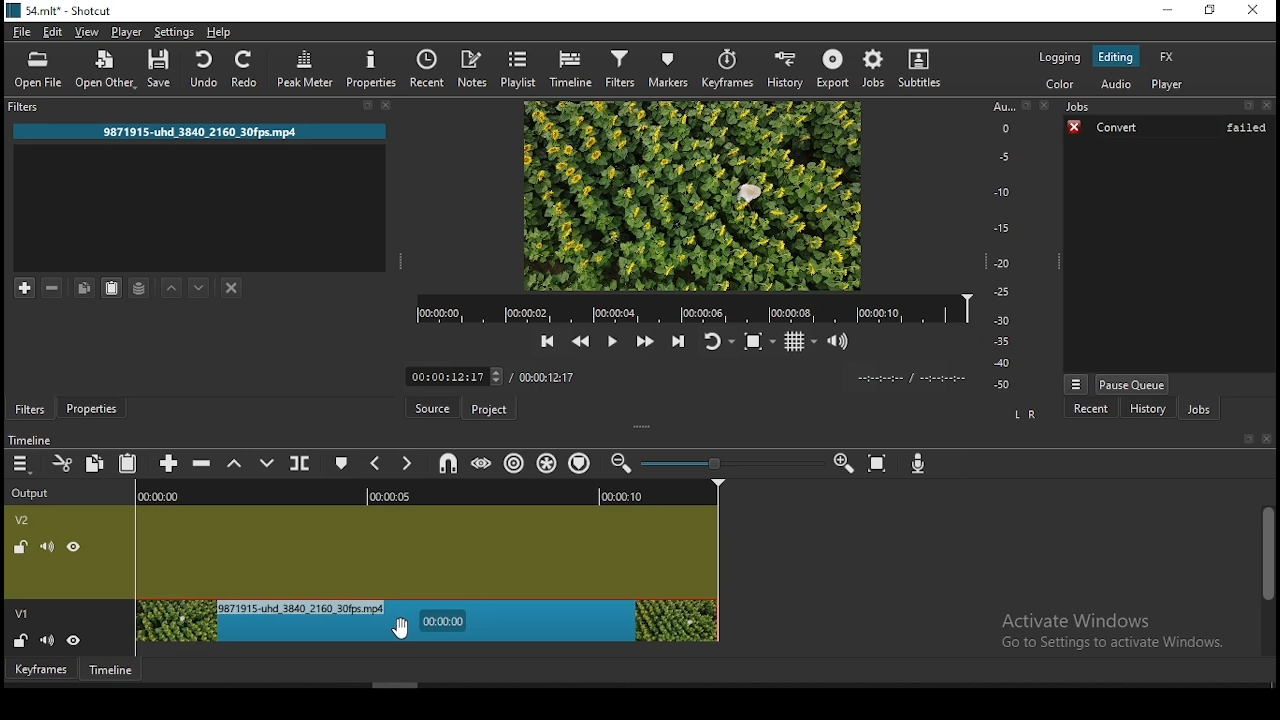 The width and height of the screenshot is (1280, 720). I want to click on v1, so click(22, 611).